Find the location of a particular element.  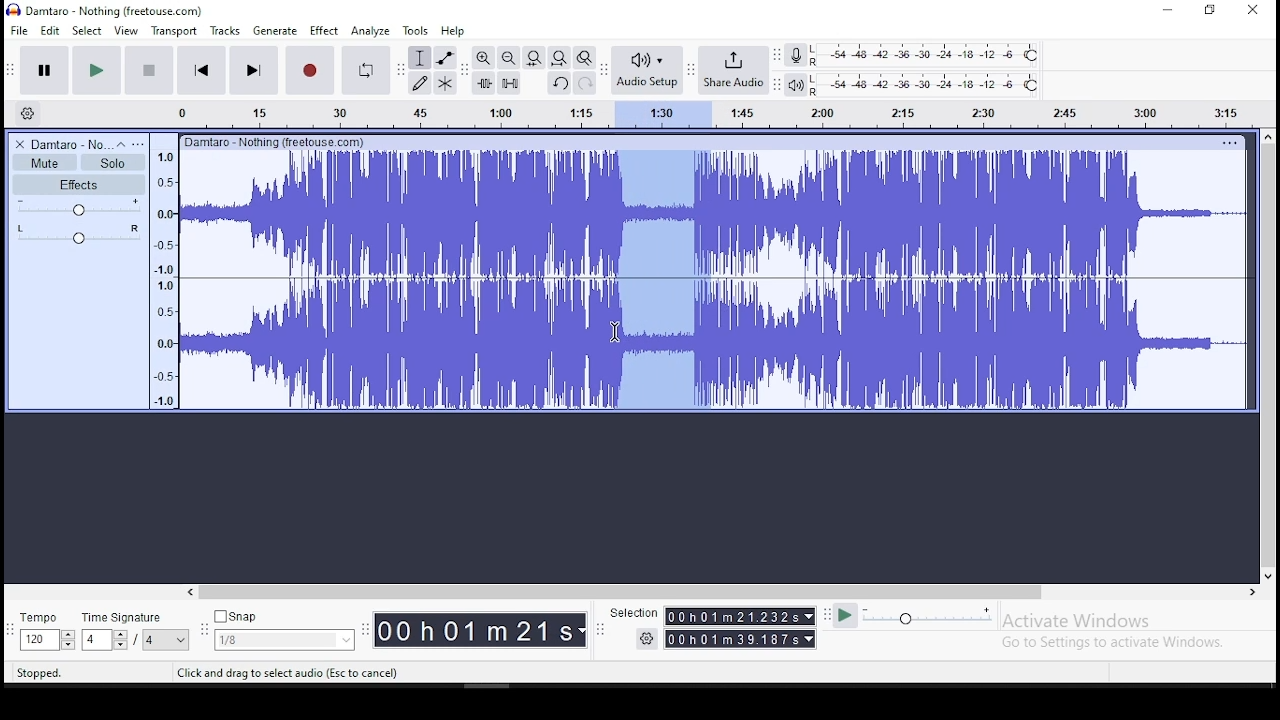

effect is located at coordinates (323, 32).